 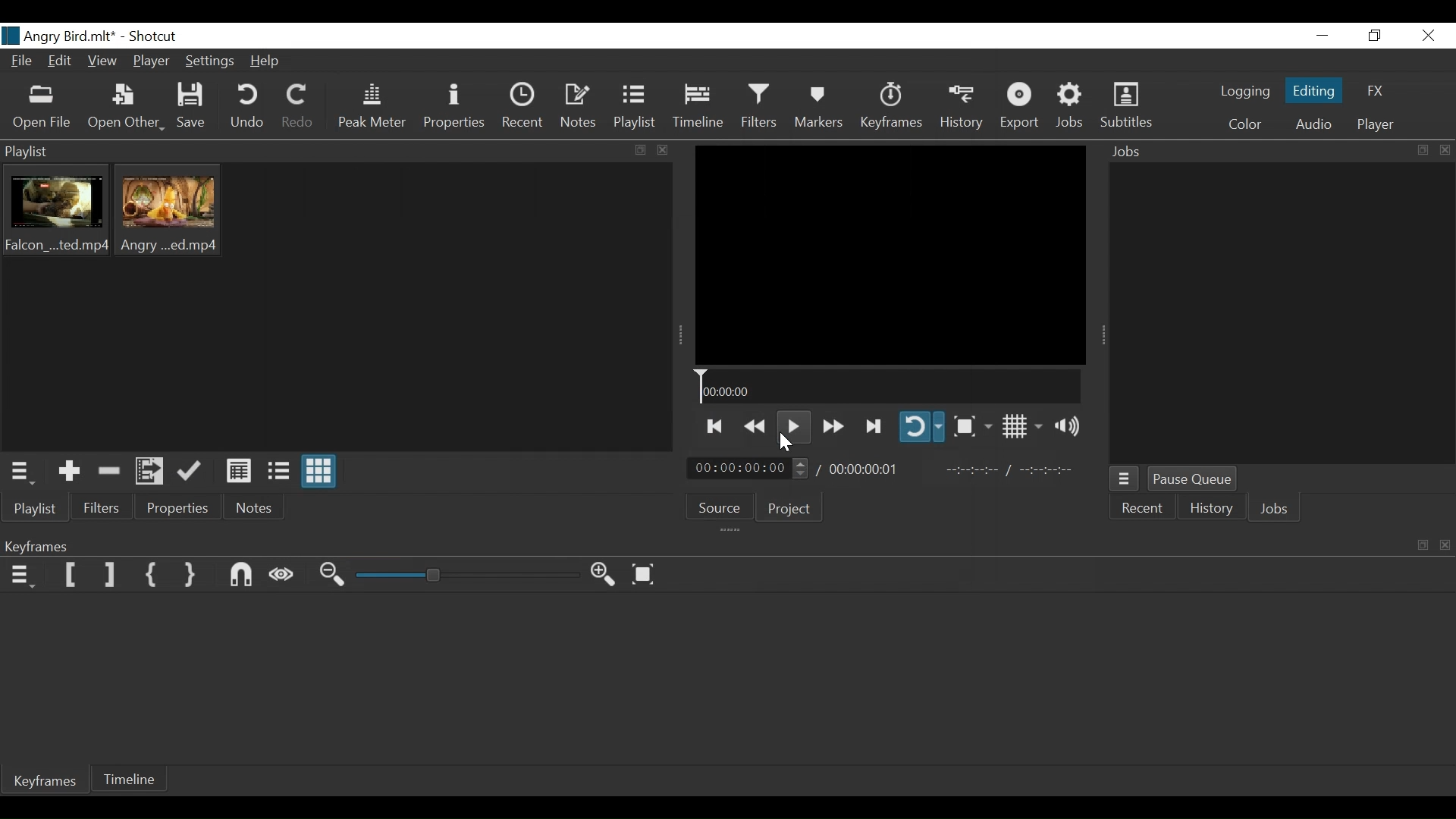 What do you see at coordinates (761, 107) in the screenshot?
I see `Filters` at bounding box center [761, 107].